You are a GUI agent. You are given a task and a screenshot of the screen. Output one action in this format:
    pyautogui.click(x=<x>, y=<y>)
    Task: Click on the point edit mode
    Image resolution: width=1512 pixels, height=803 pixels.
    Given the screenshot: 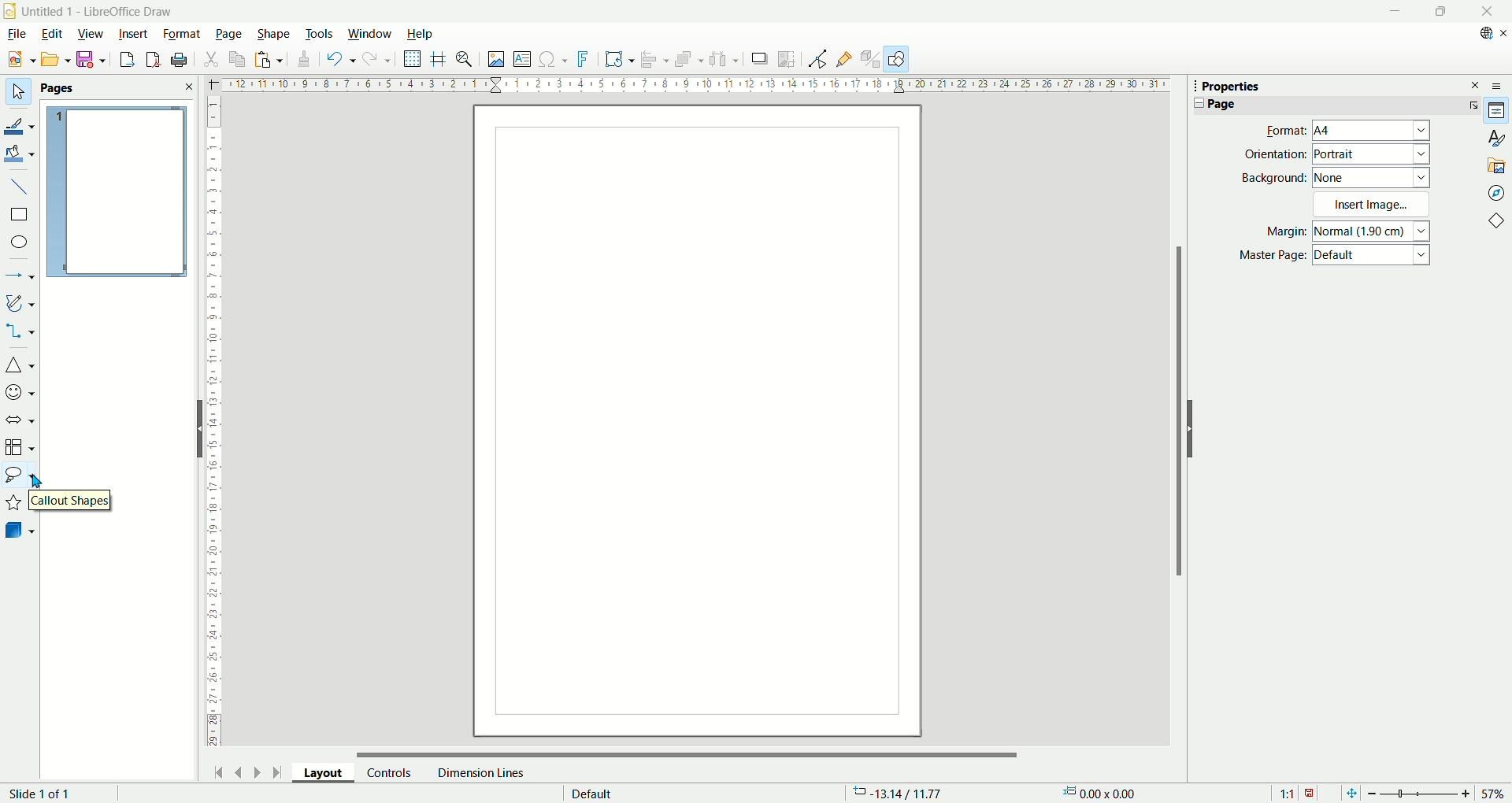 What is the action you would take?
    pyautogui.click(x=817, y=59)
    